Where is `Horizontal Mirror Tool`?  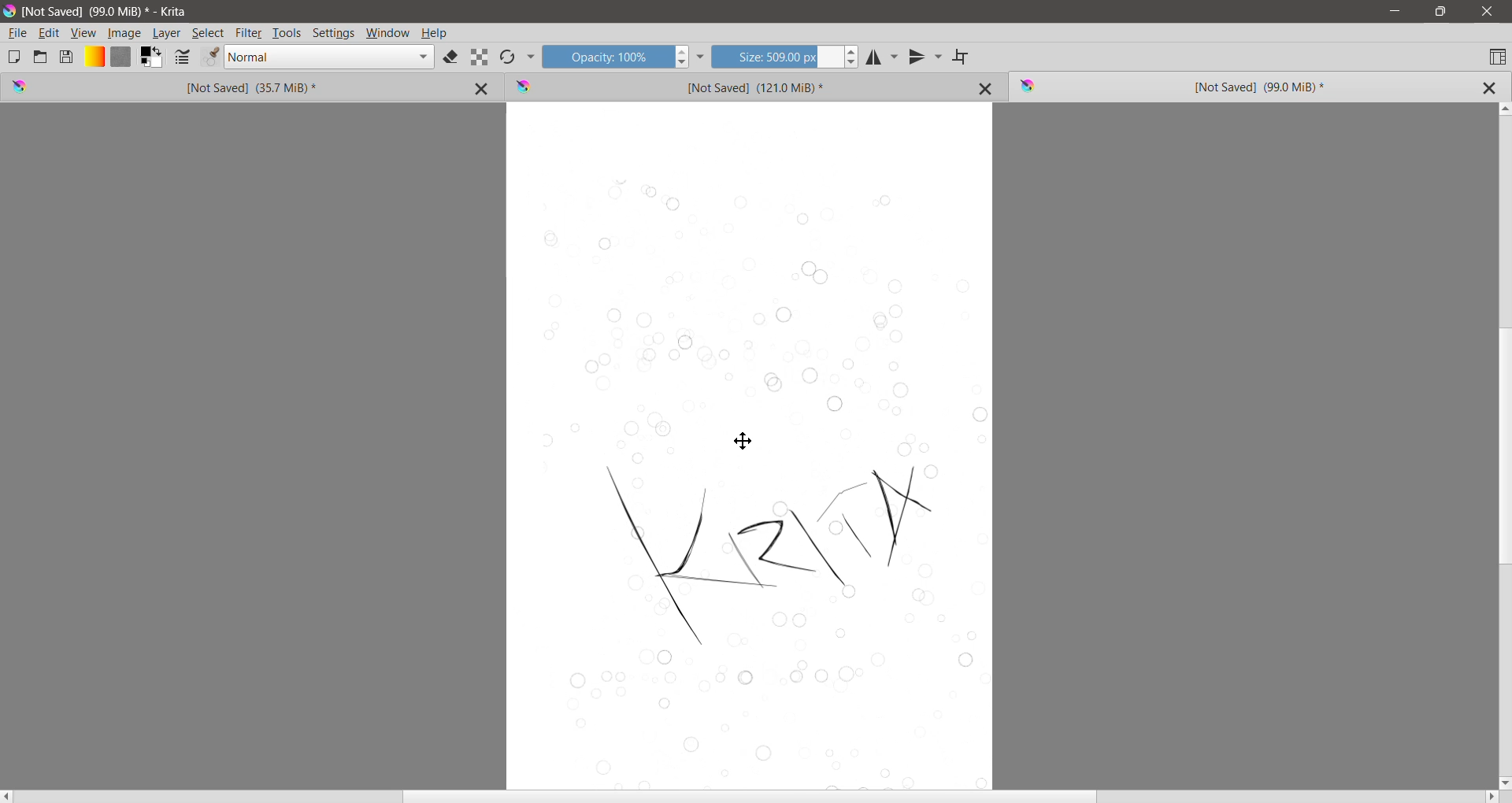 Horizontal Mirror Tool is located at coordinates (883, 56).